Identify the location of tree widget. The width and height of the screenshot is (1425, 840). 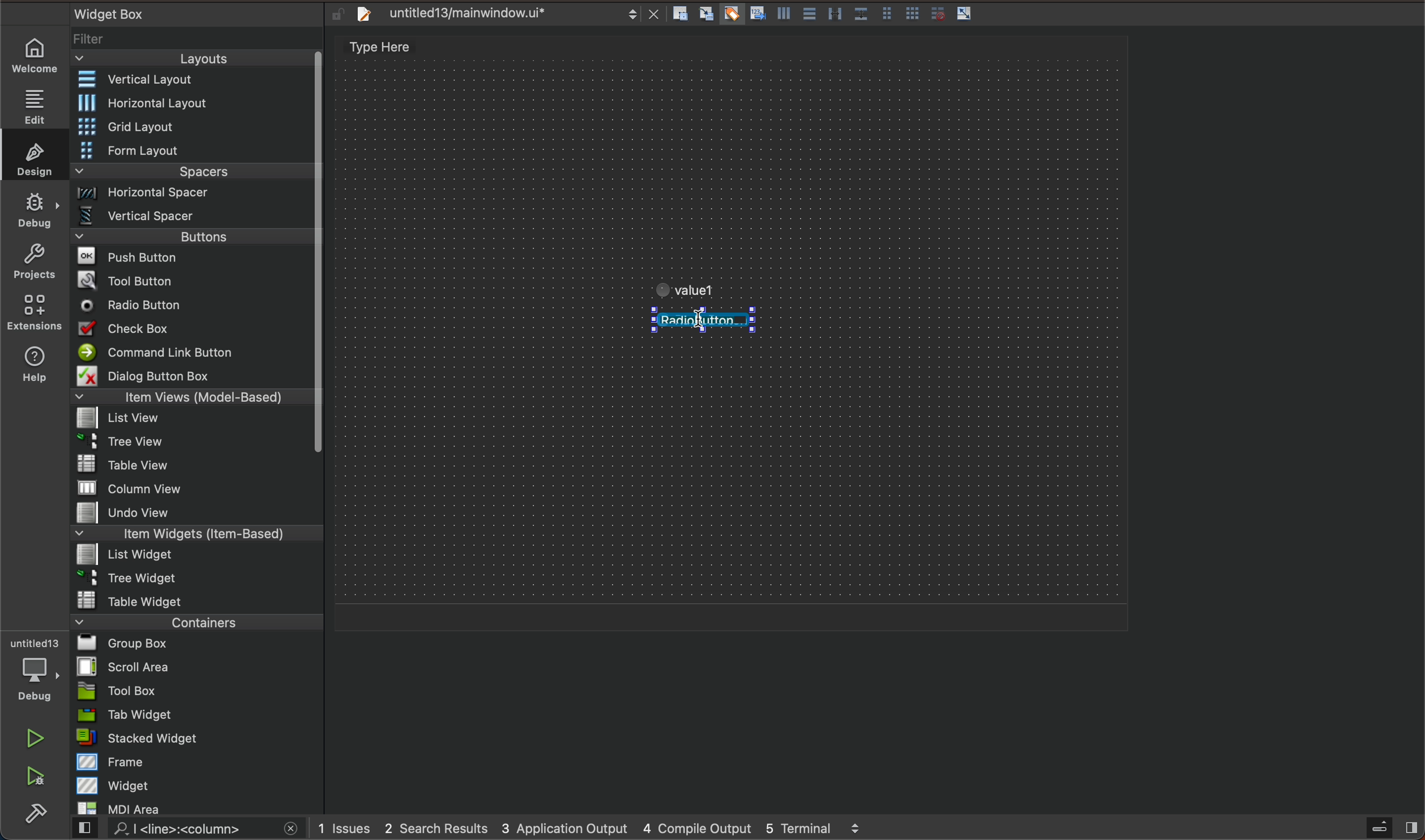
(198, 579).